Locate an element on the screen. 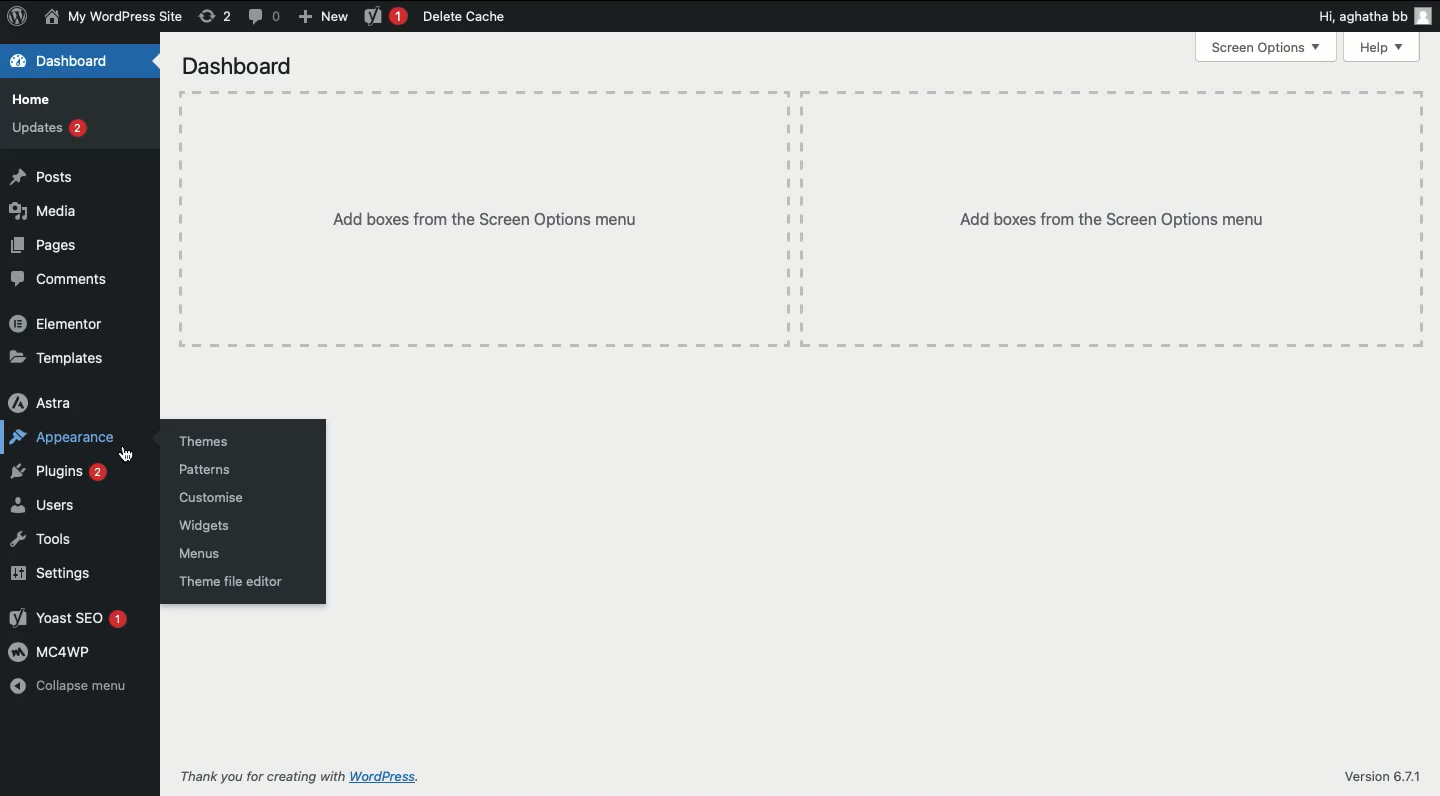 The height and width of the screenshot is (796, 1440). Help  is located at coordinates (1377, 47).